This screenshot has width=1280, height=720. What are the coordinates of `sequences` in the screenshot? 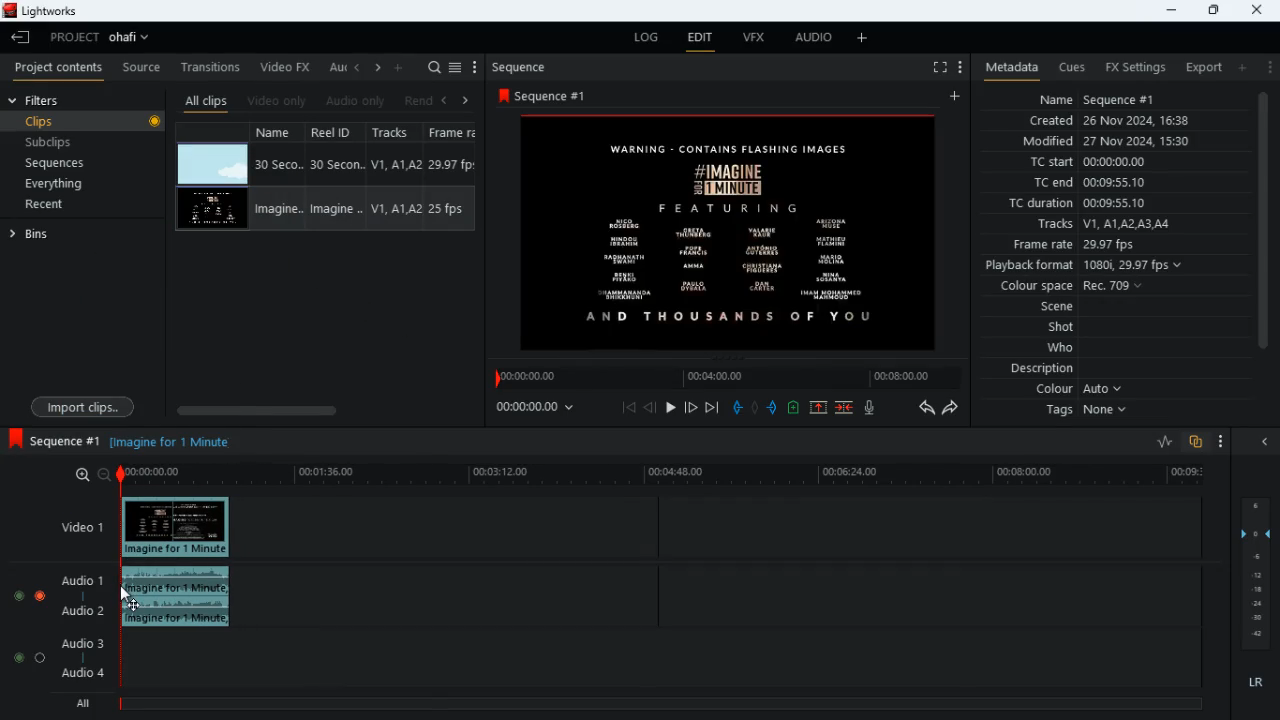 It's located at (57, 163).